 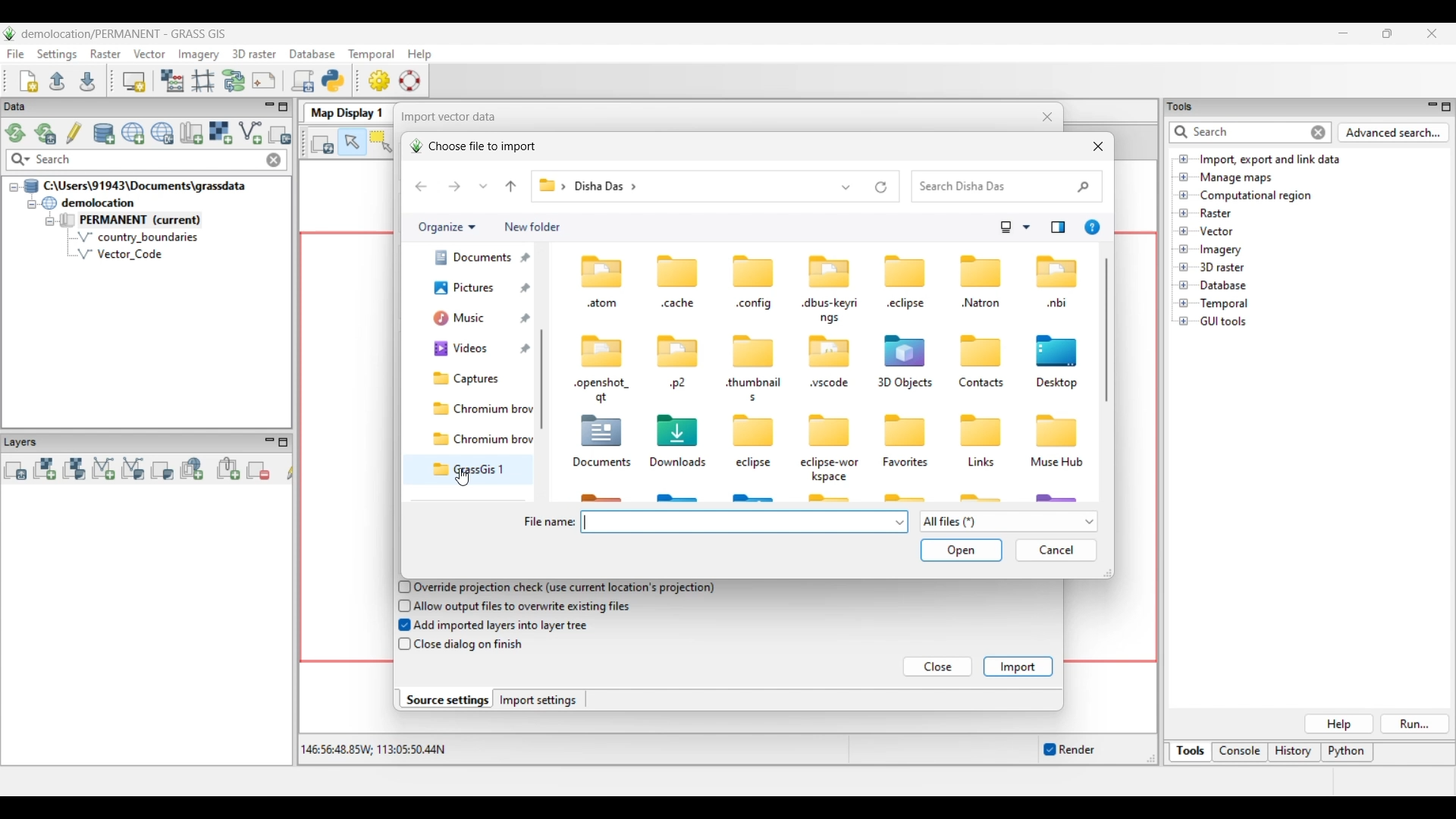 What do you see at coordinates (1057, 350) in the screenshot?
I see `icon` at bounding box center [1057, 350].